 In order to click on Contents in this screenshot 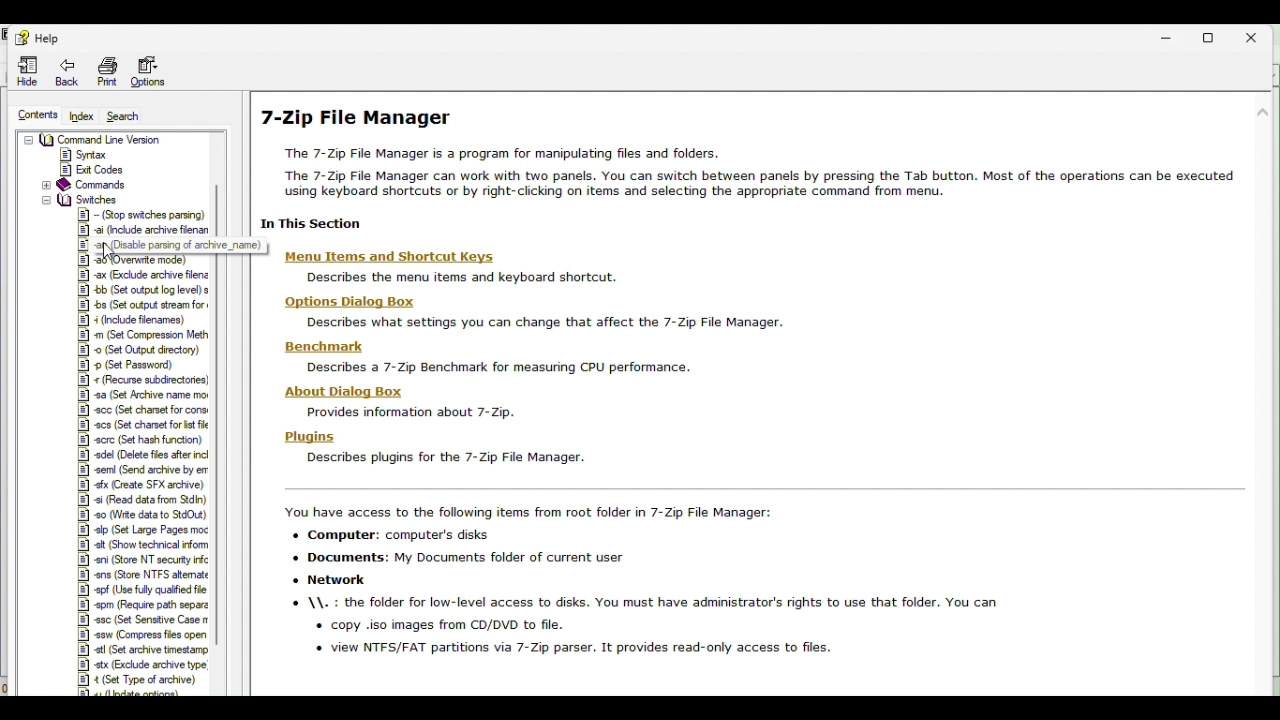, I will do `click(35, 112)`.